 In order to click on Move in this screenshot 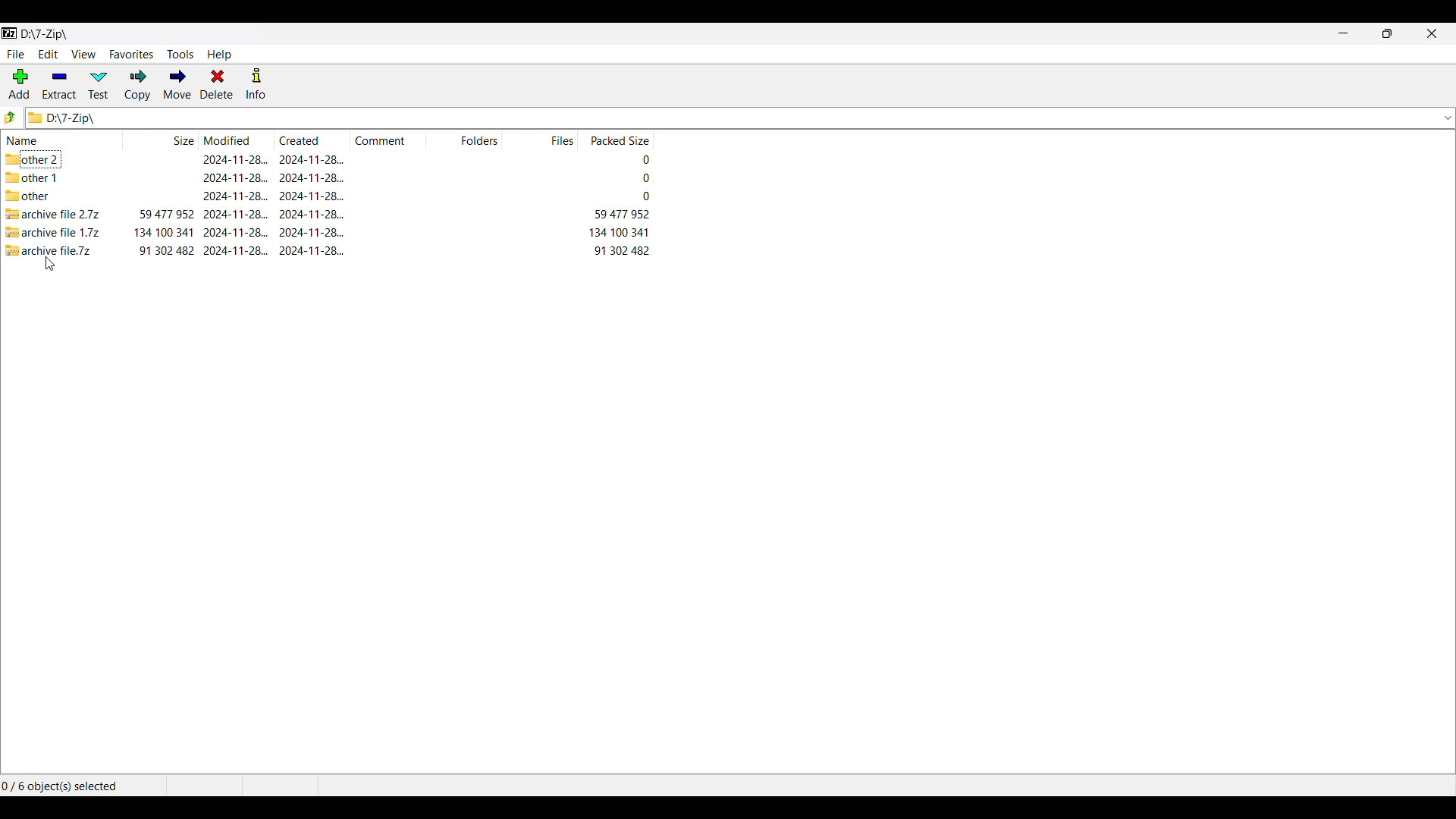, I will do `click(177, 85)`.